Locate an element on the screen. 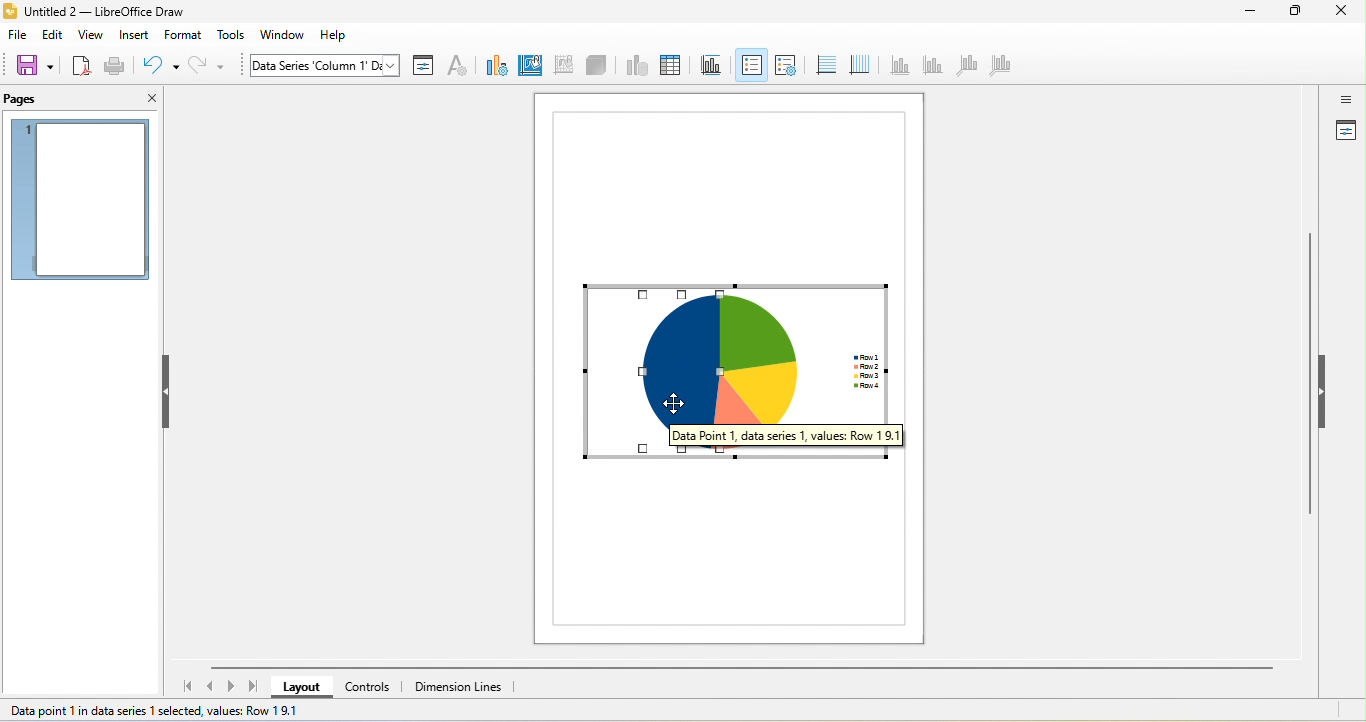 The height and width of the screenshot is (722, 1366). minimize is located at coordinates (1249, 13).